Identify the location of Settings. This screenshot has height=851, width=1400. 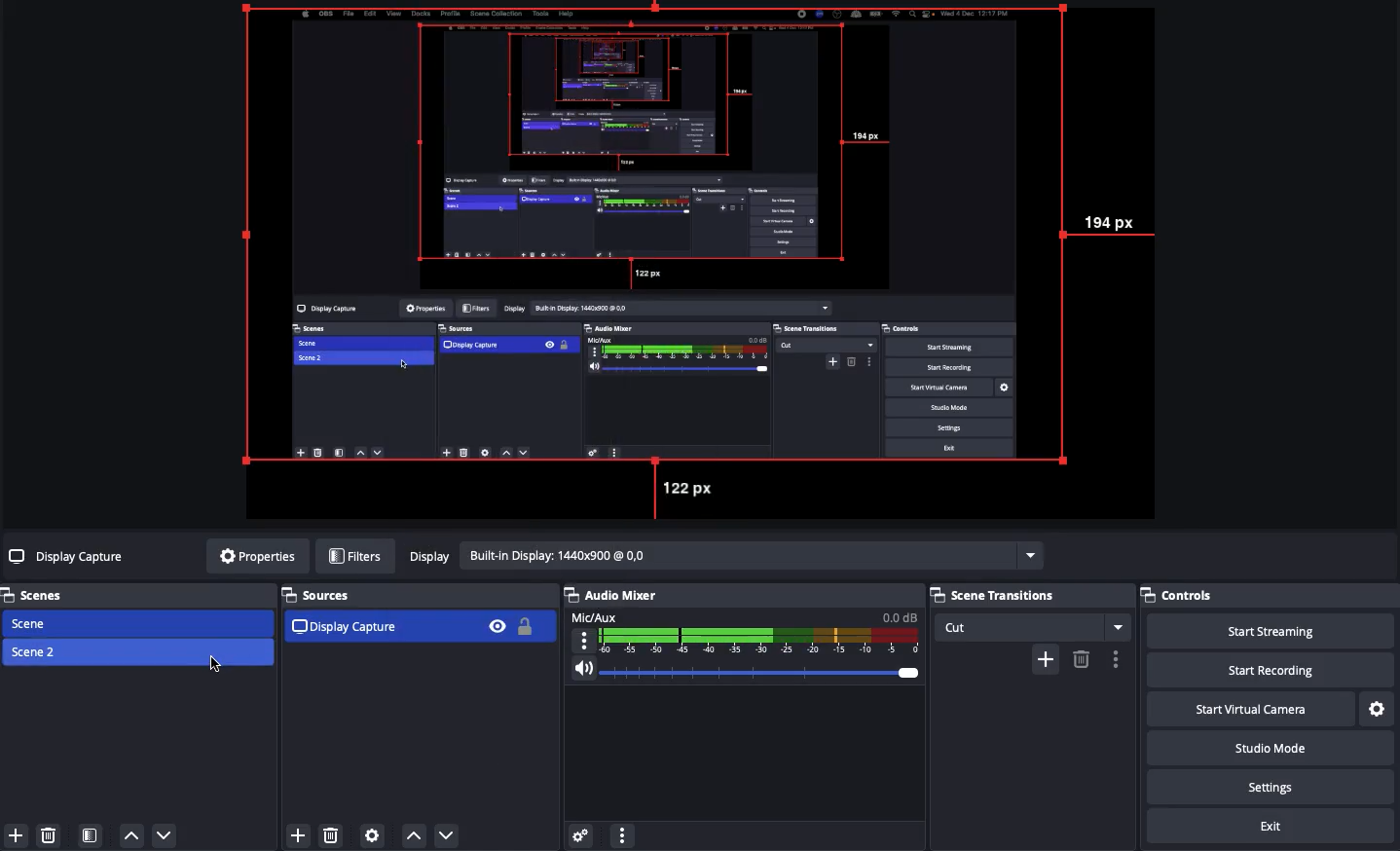
(1376, 706).